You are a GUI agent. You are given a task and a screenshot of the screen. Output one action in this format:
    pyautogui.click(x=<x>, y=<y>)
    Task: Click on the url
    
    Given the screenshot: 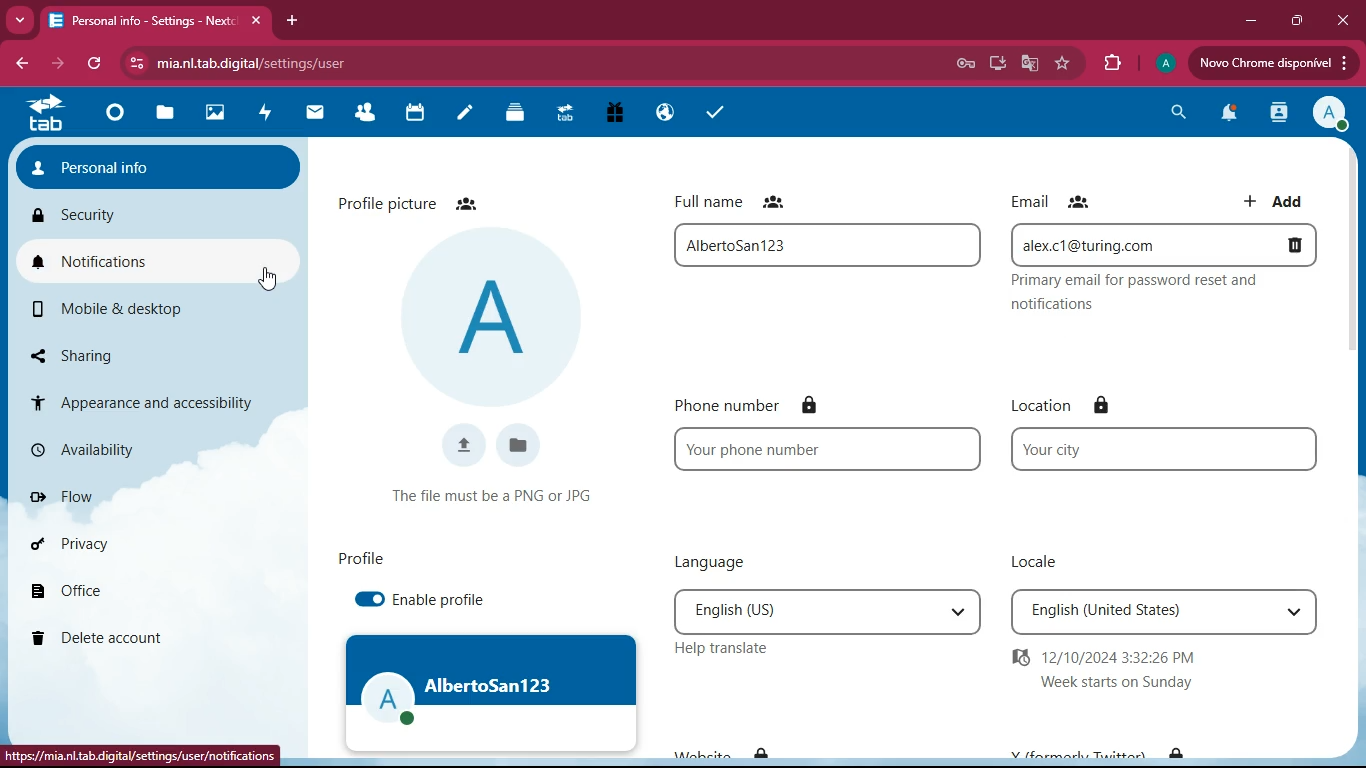 What is the action you would take?
    pyautogui.click(x=138, y=759)
    